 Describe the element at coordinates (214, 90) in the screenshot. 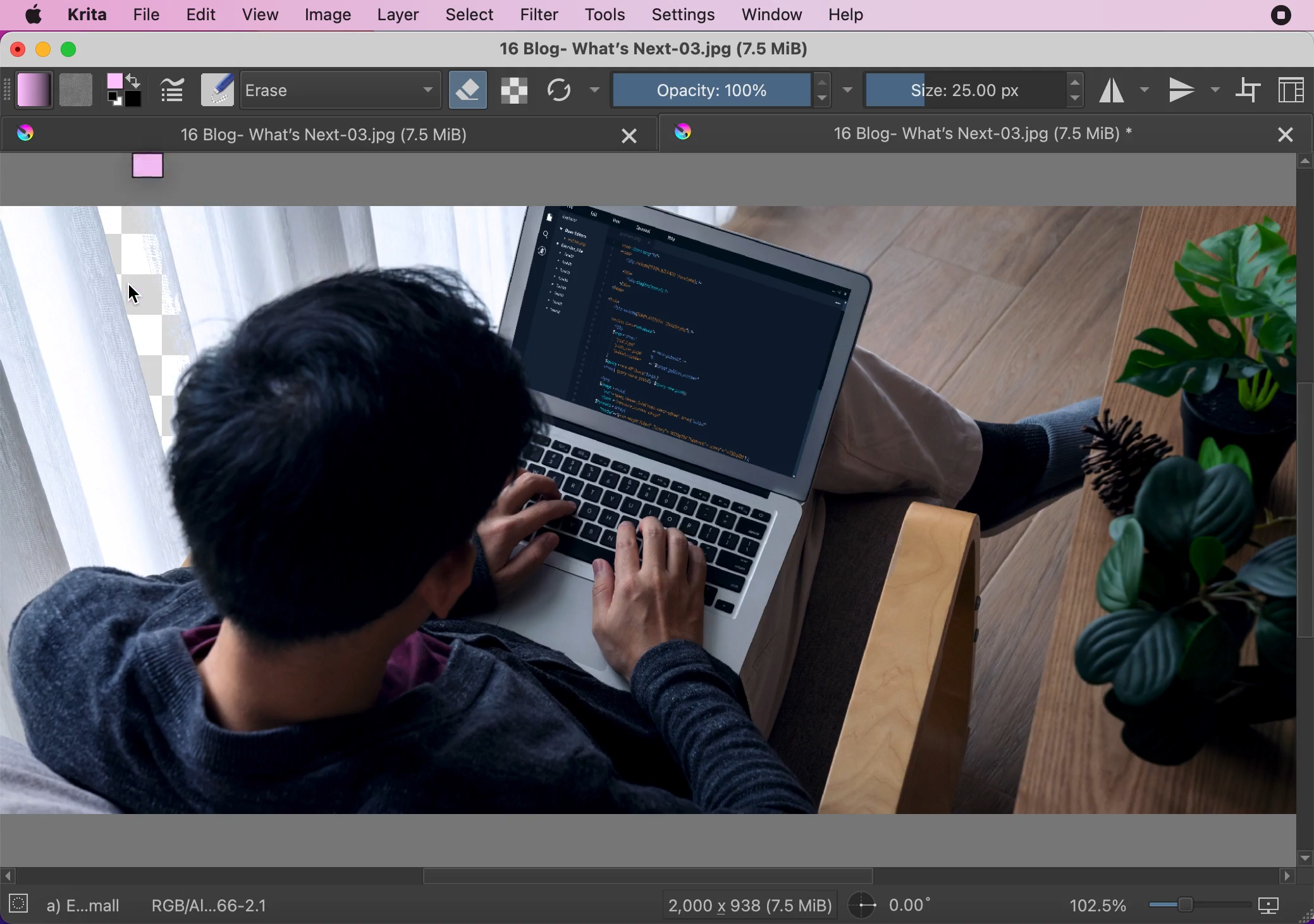

I see `Notepad` at that location.